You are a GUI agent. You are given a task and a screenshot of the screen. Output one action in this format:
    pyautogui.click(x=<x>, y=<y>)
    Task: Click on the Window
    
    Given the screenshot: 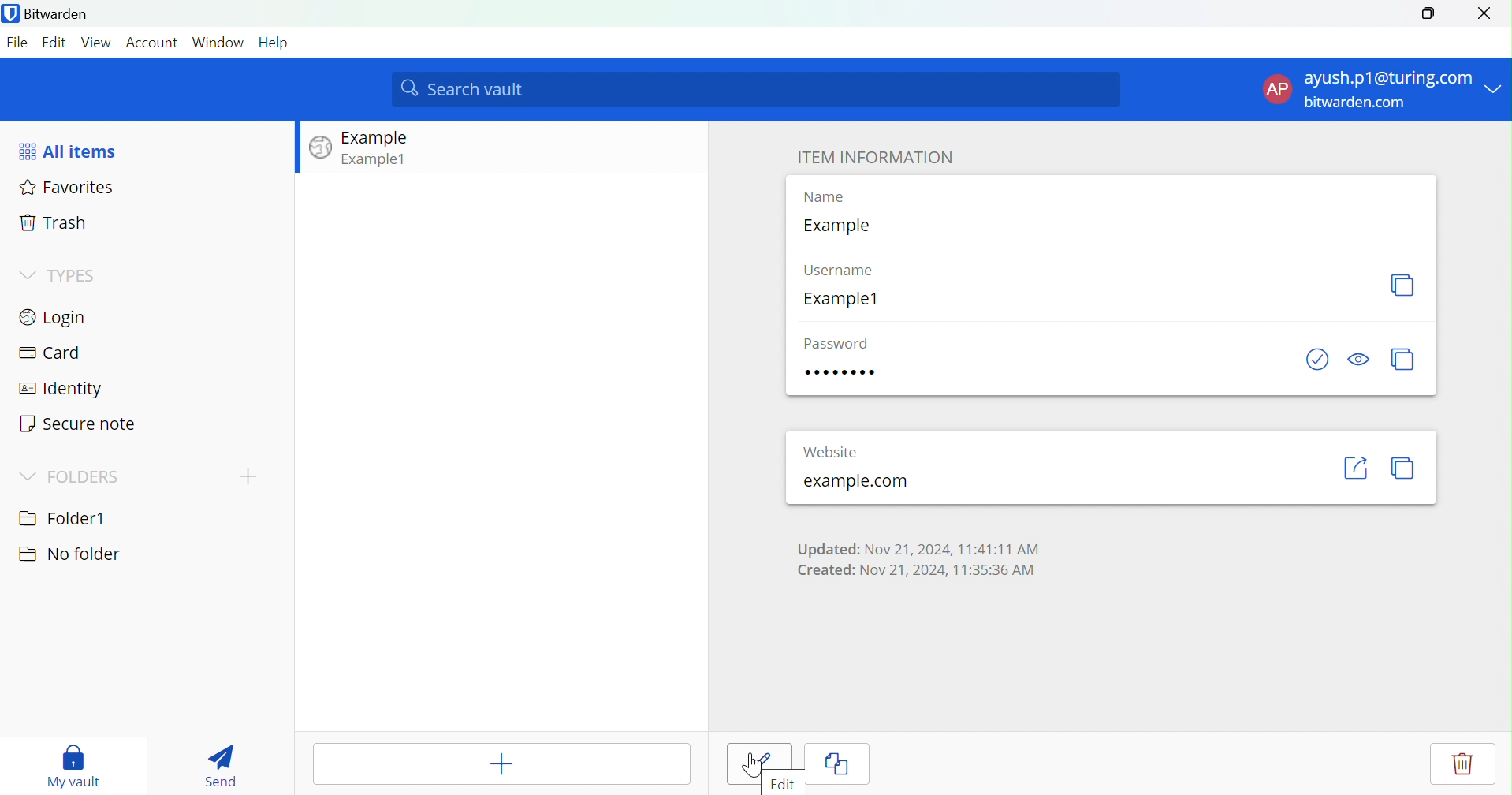 What is the action you would take?
    pyautogui.click(x=218, y=42)
    